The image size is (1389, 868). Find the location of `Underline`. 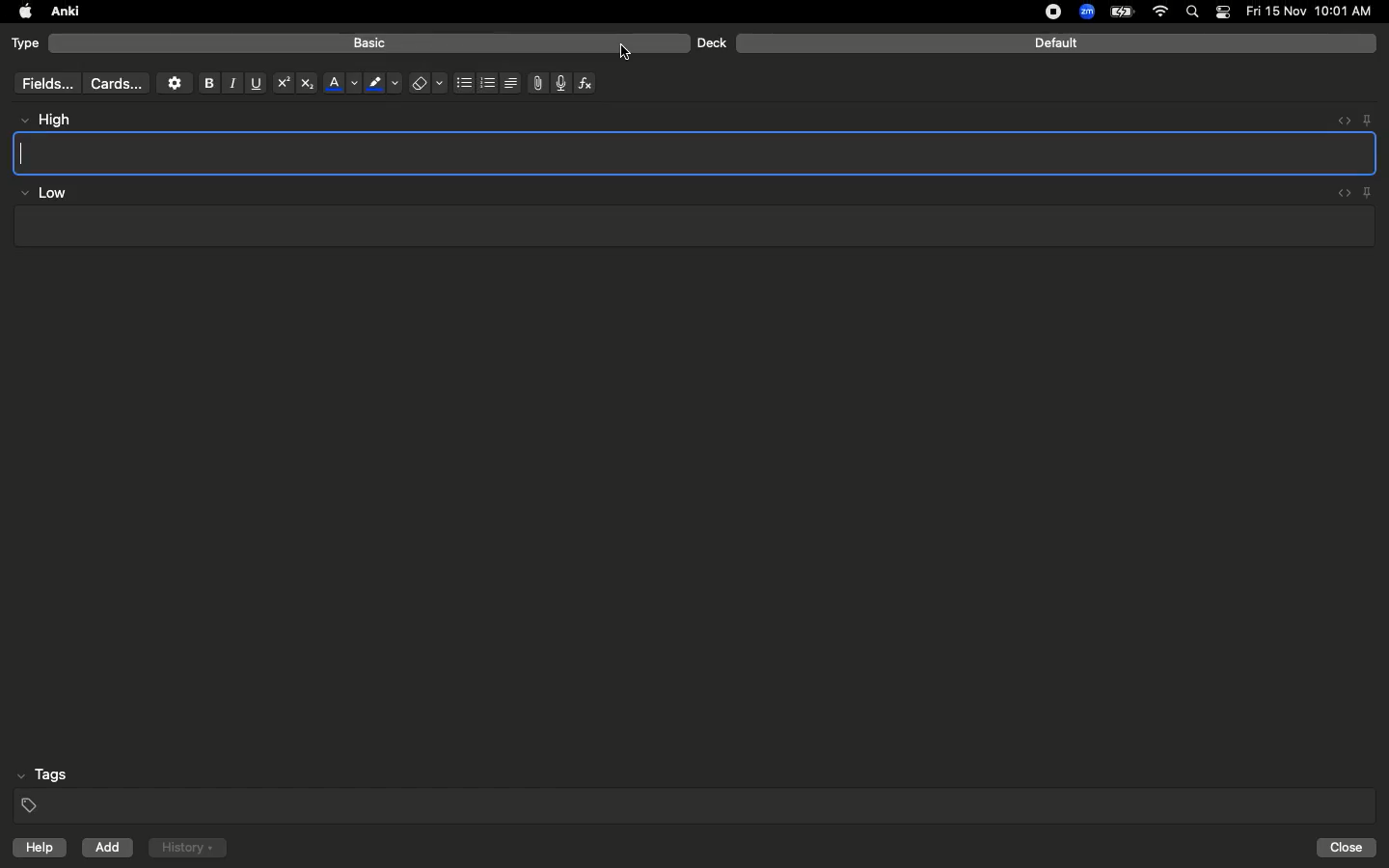

Underline is located at coordinates (255, 84).